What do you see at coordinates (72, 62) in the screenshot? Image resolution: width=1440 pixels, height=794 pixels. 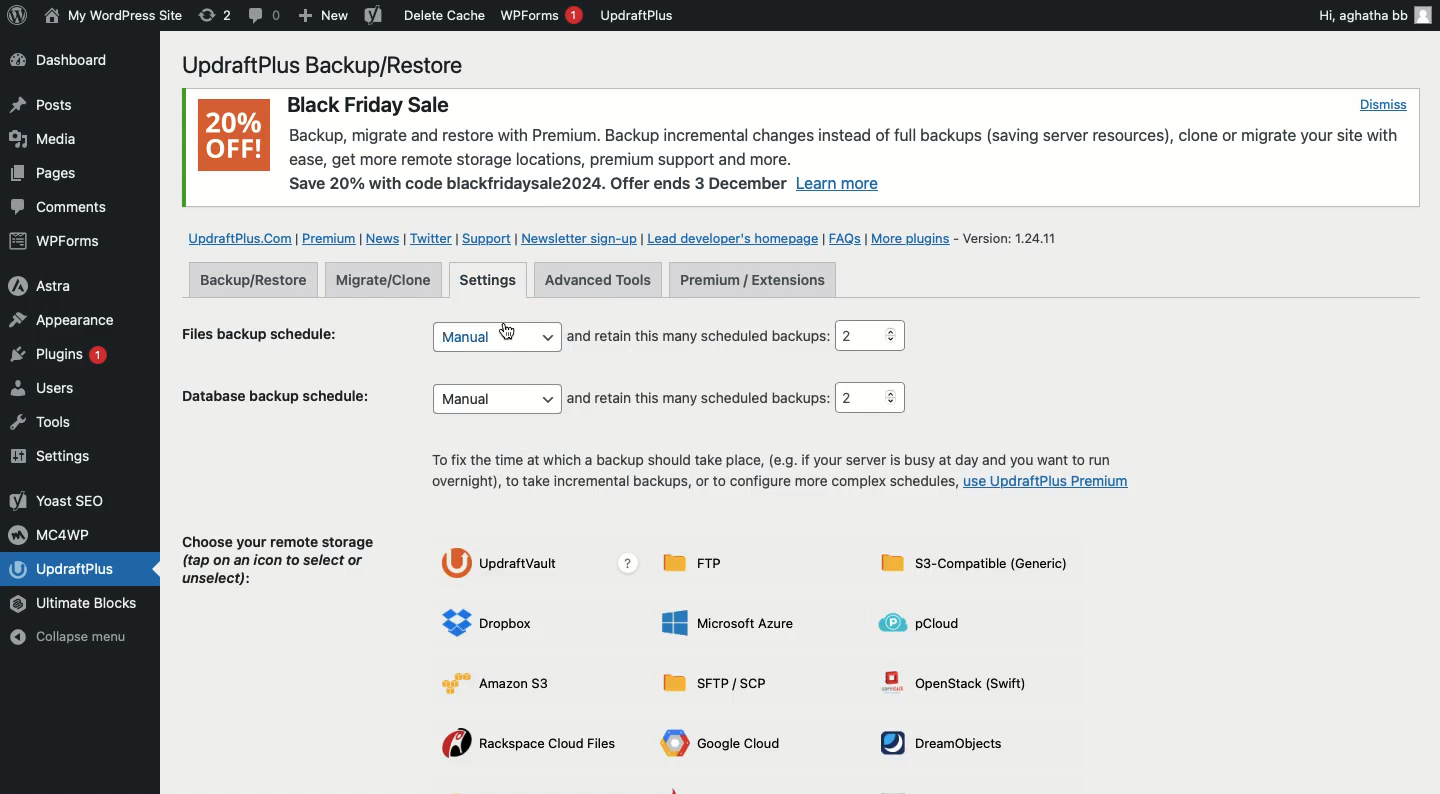 I see `Dashboard` at bounding box center [72, 62].